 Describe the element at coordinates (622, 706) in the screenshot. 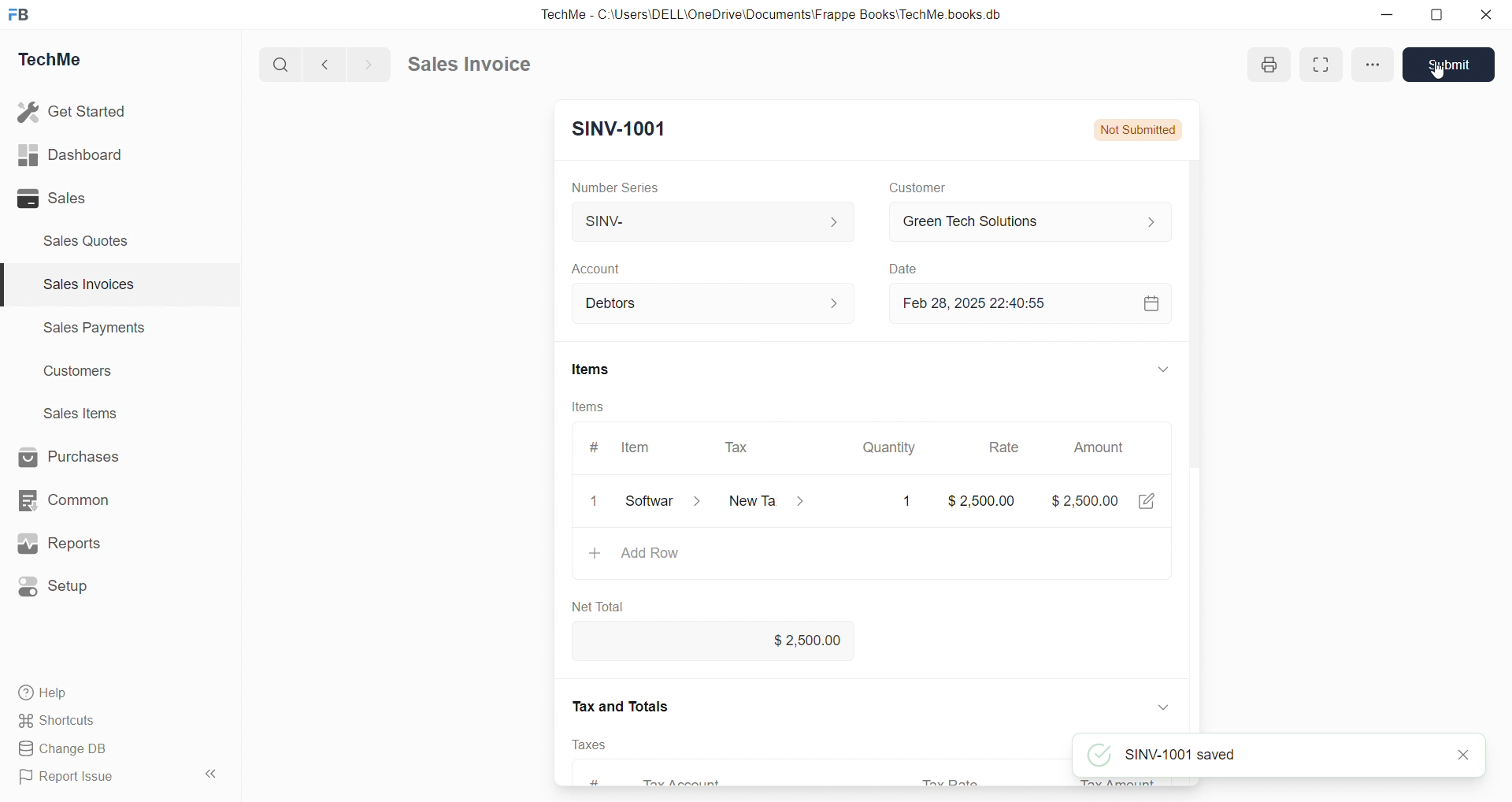

I see `Tax and Totals` at that location.